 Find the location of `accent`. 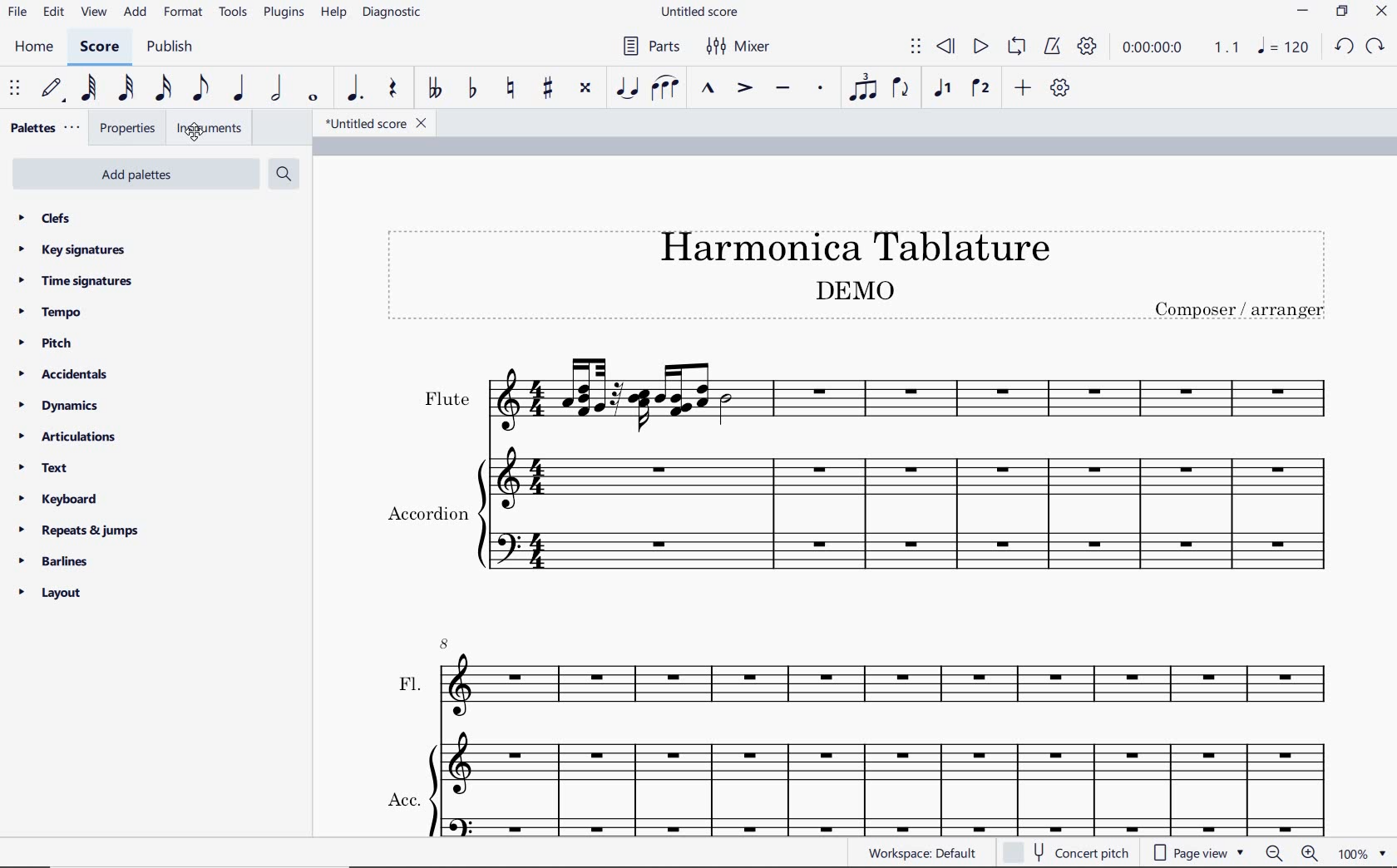

accent is located at coordinates (744, 89).